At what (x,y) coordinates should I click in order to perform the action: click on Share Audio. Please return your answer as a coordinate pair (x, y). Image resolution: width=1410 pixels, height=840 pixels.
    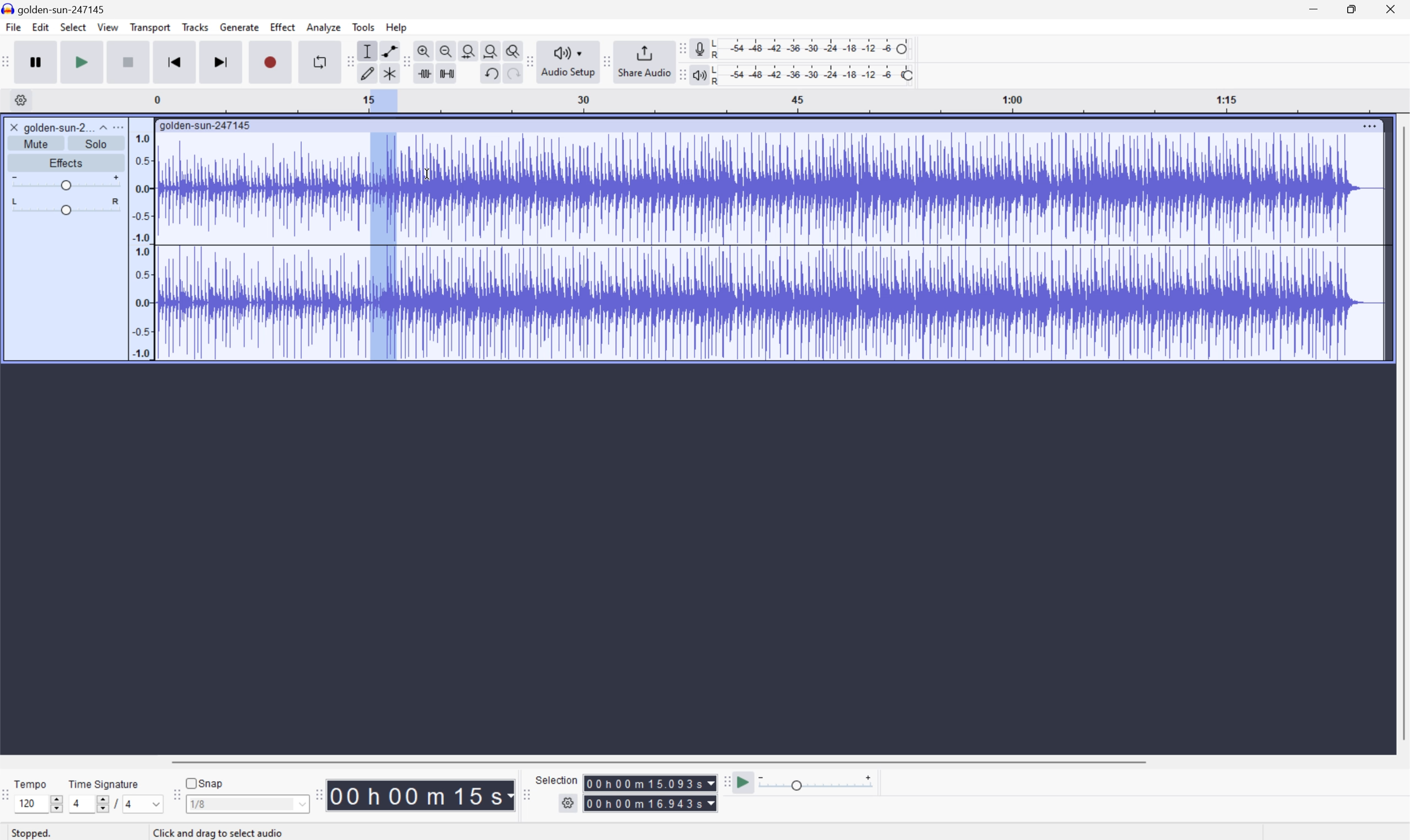
    Looking at the image, I should click on (642, 61).